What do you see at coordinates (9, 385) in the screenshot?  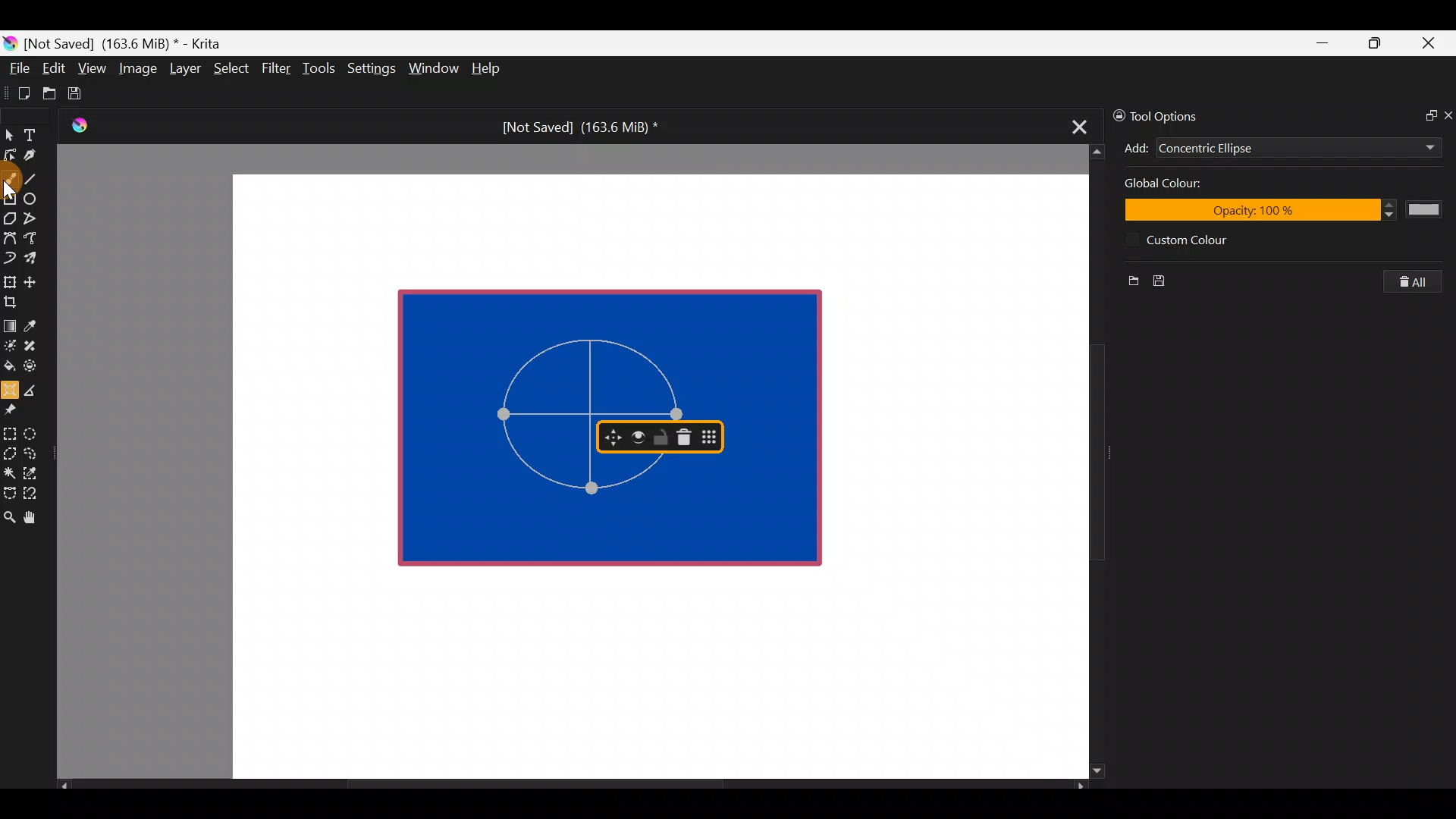 I see `Assistant tool` at bounding box center [9, 385].